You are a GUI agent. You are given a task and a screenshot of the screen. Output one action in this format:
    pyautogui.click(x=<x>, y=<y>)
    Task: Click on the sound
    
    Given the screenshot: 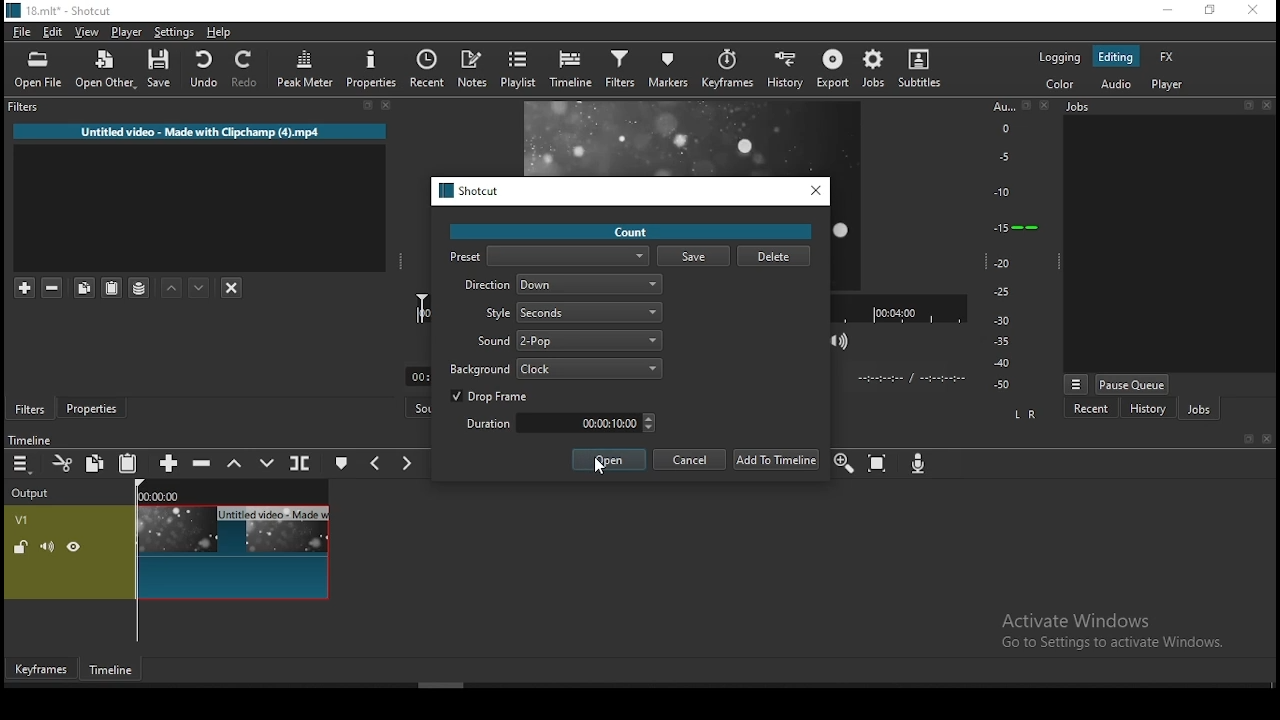 What is the action you would take?
    pyautogui.click(x=567, y=340)
    